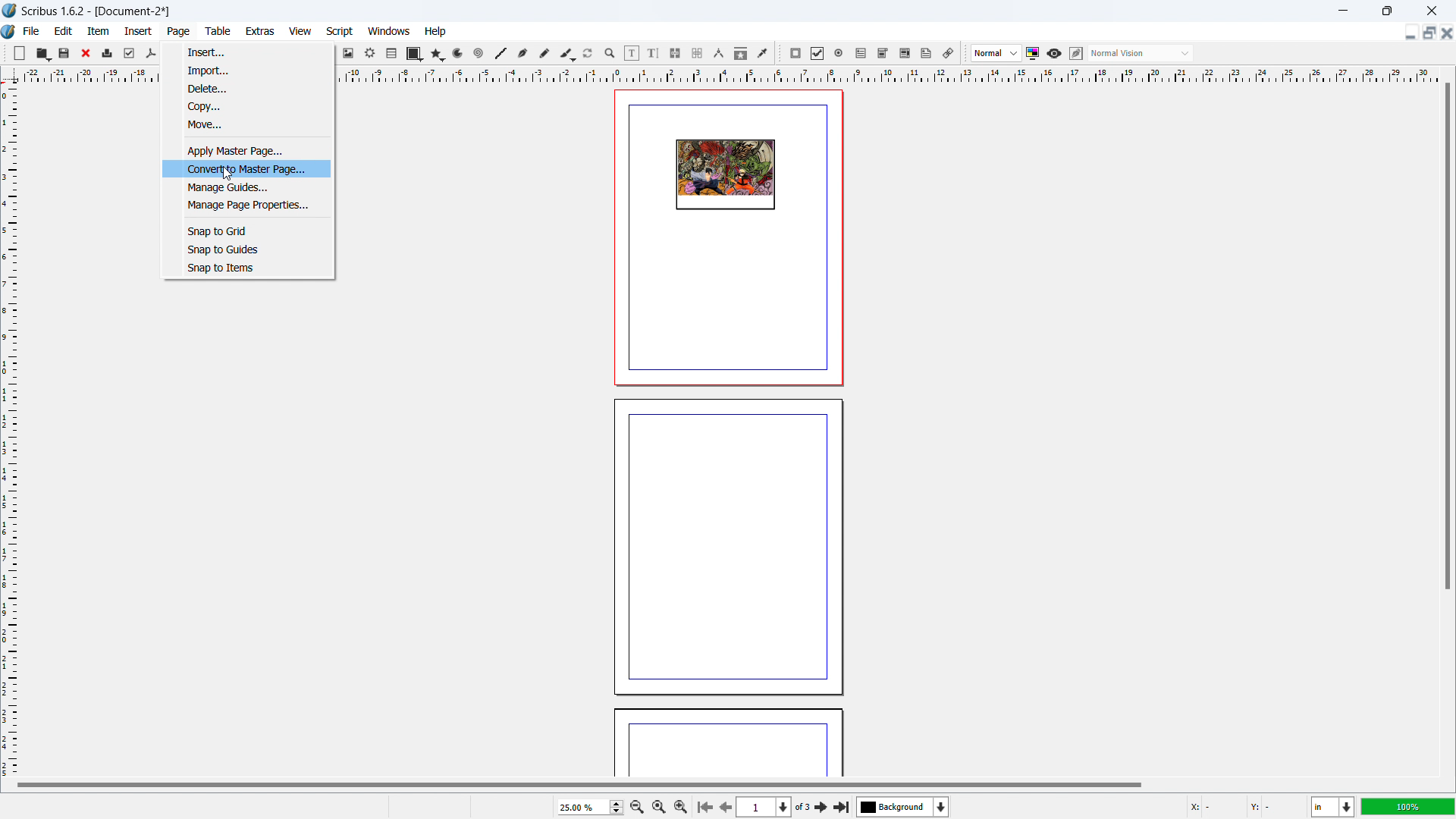 The width and height of the screenshot is (1456, 819). Describe the element at coordinates (1408, 806) in the screenshot. I see `zoom level` at that location.